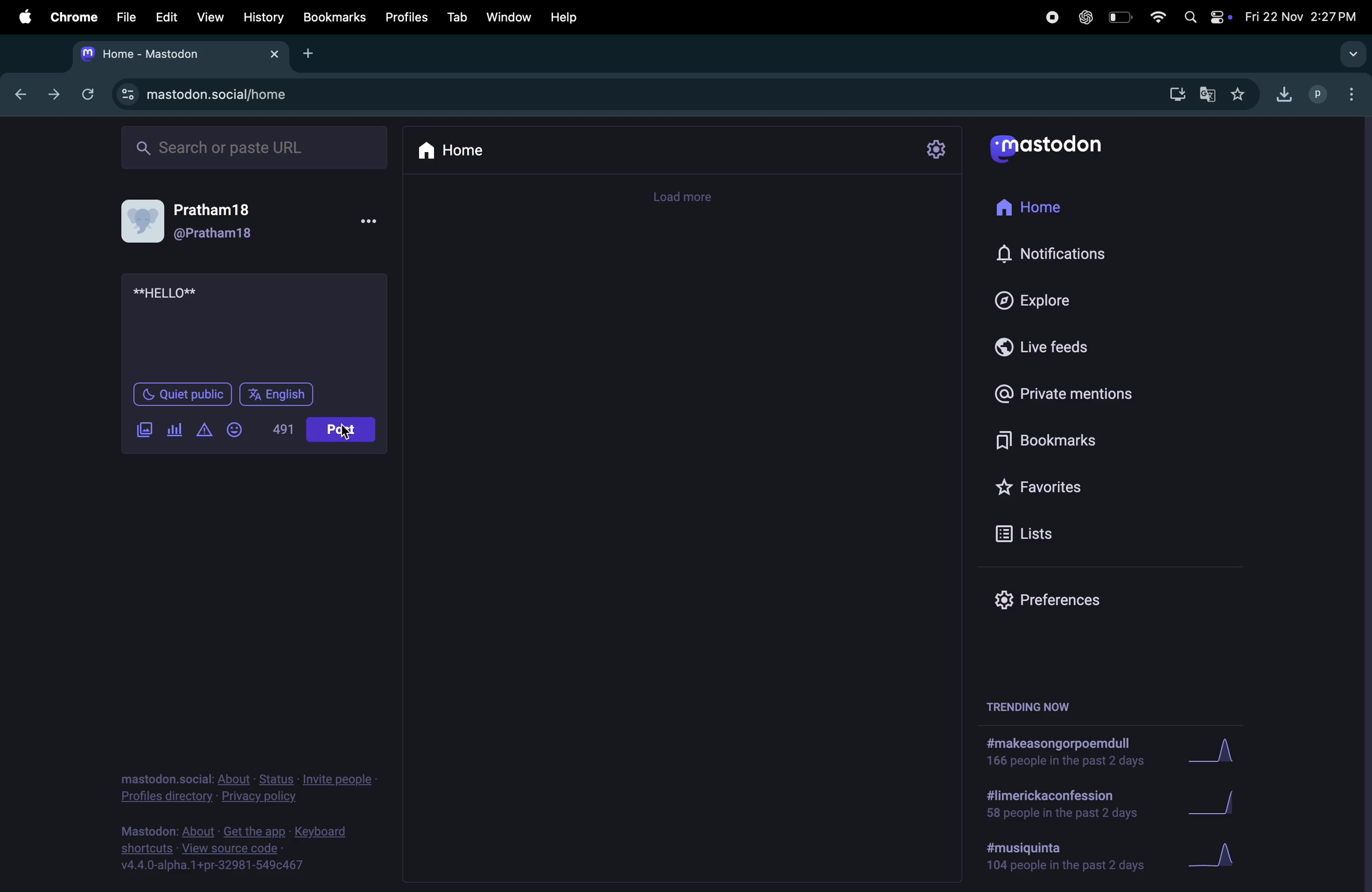 This screenshot has width=1372, height=892. I want to click on wifi, so click(1159, 18).